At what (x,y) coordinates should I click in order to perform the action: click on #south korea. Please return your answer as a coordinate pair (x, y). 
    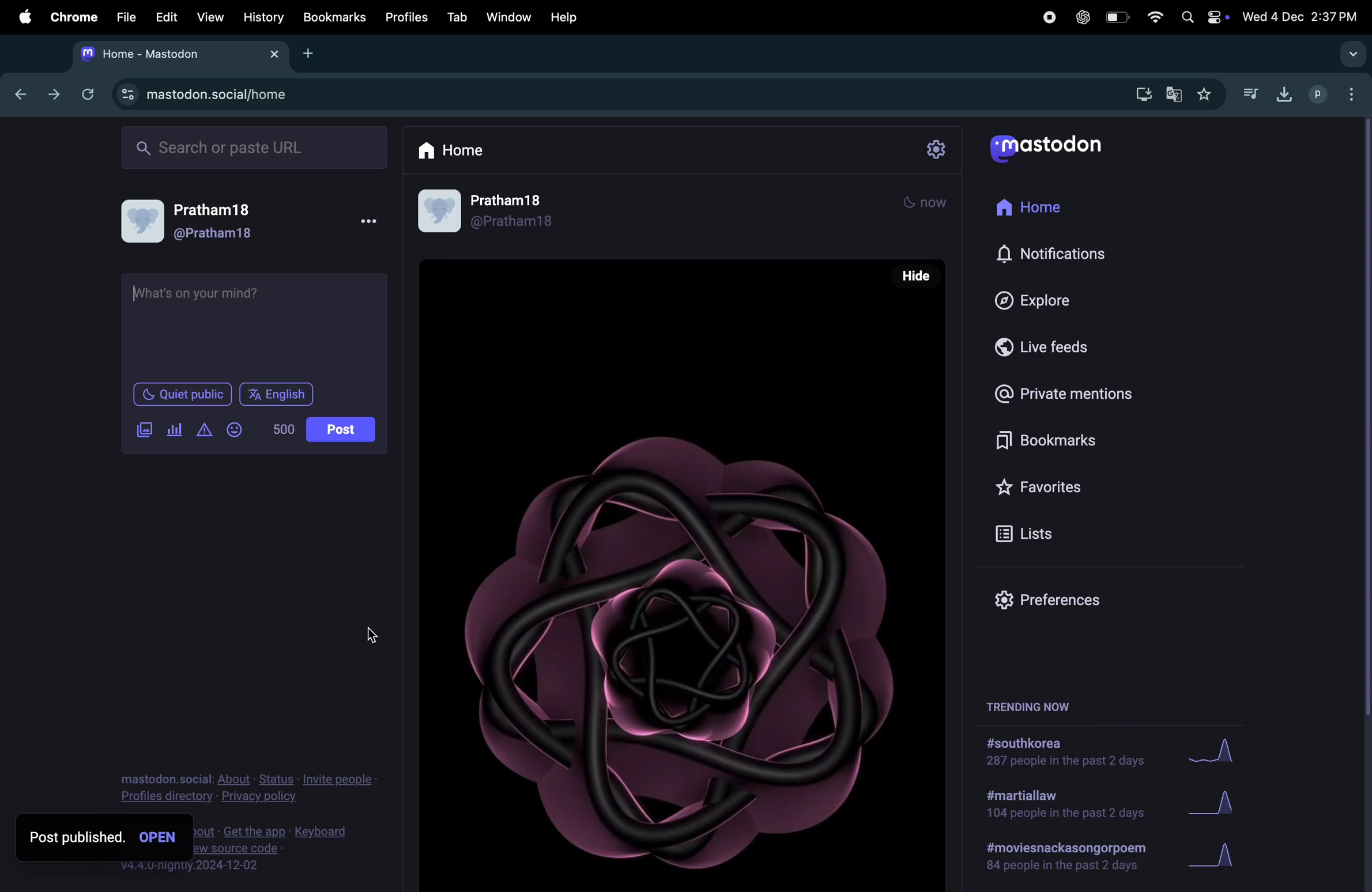
    Looking at the image, I should click on (1067, 751).